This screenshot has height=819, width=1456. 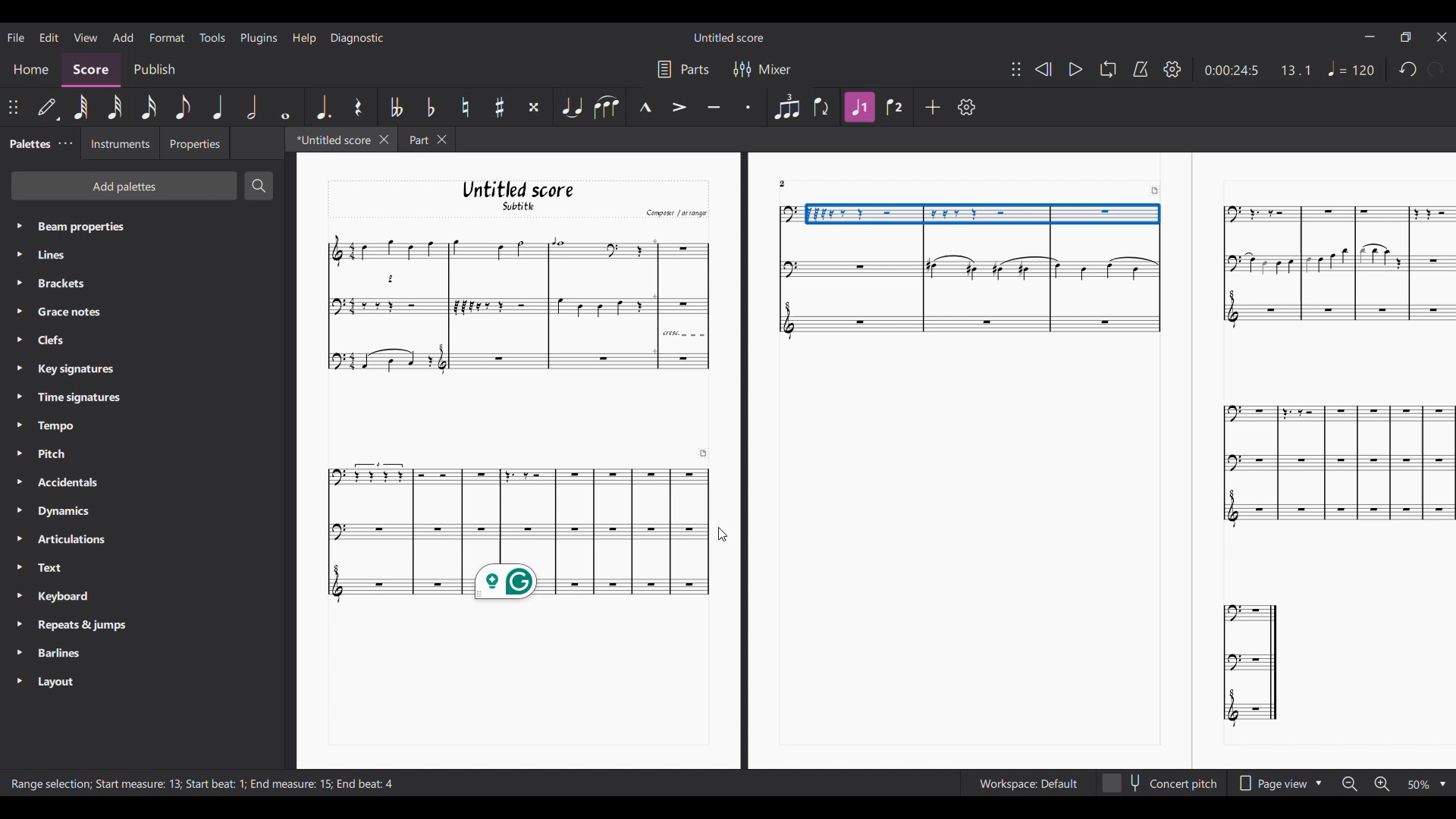 I want to click on Graph, so click(x=1332, y=463).